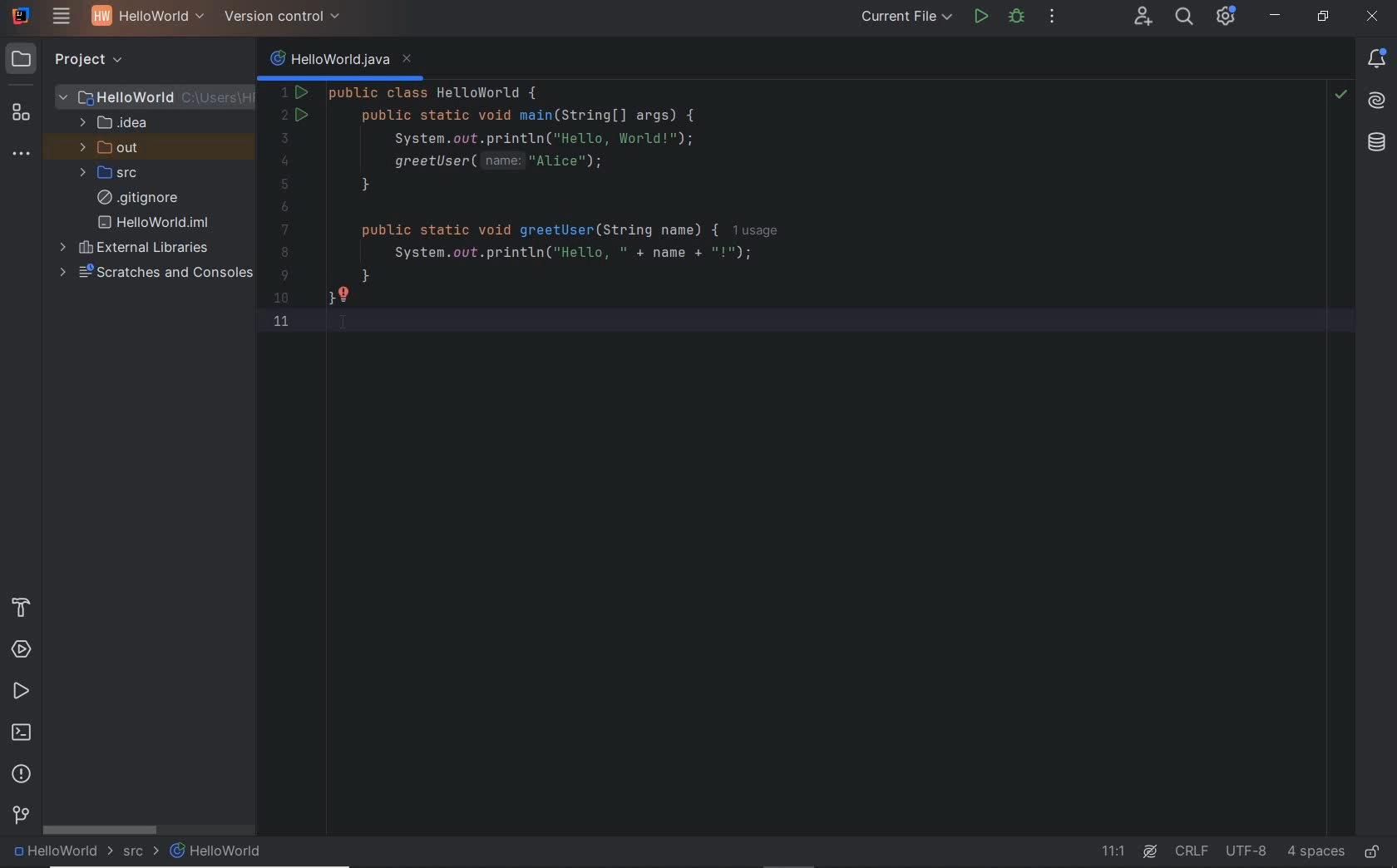 This screenshot has height=868, width=1397. I want to click on Code running, so click(395, 76).